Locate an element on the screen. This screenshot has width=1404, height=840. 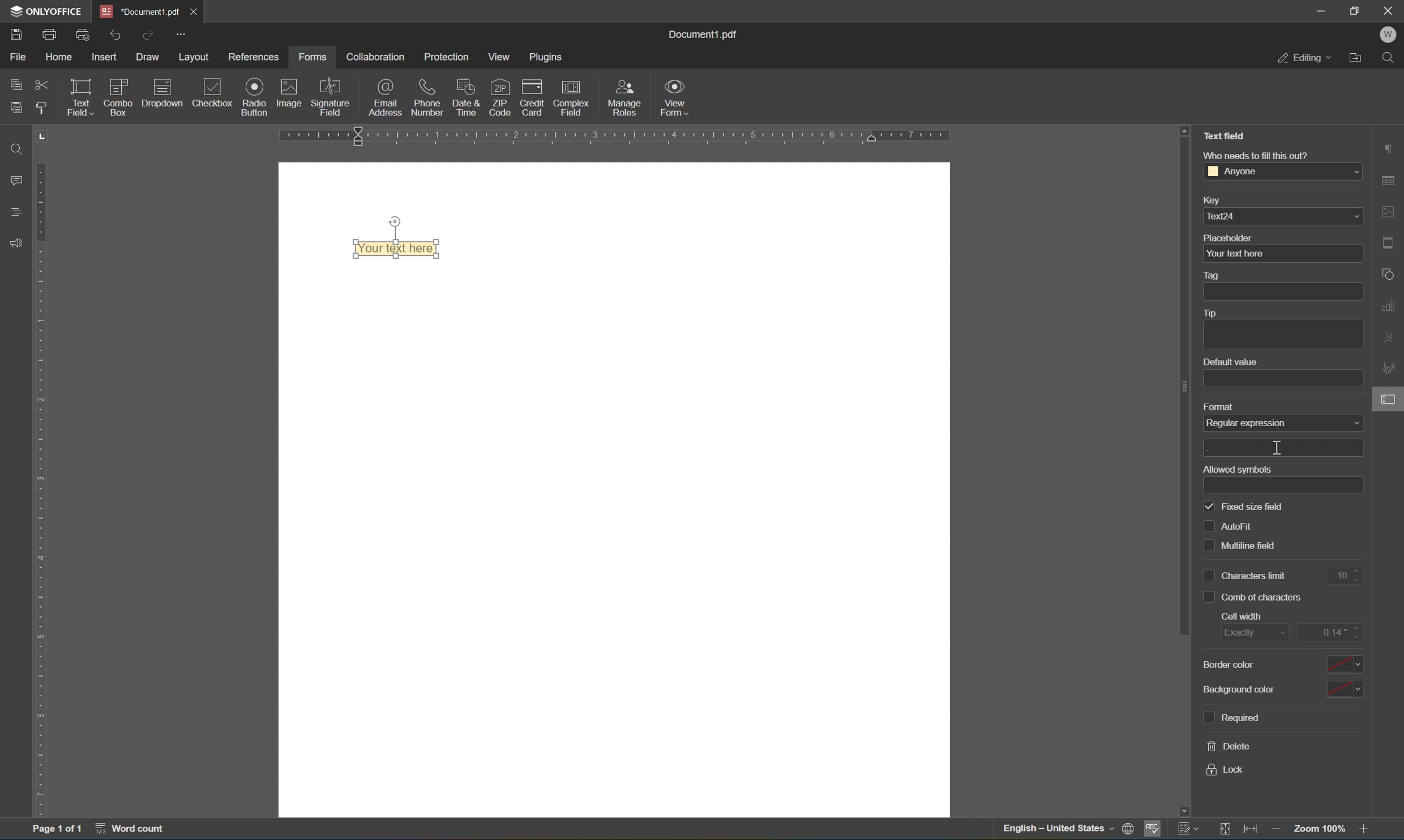
page 1 of 1 is located at coordinates (55, 830).